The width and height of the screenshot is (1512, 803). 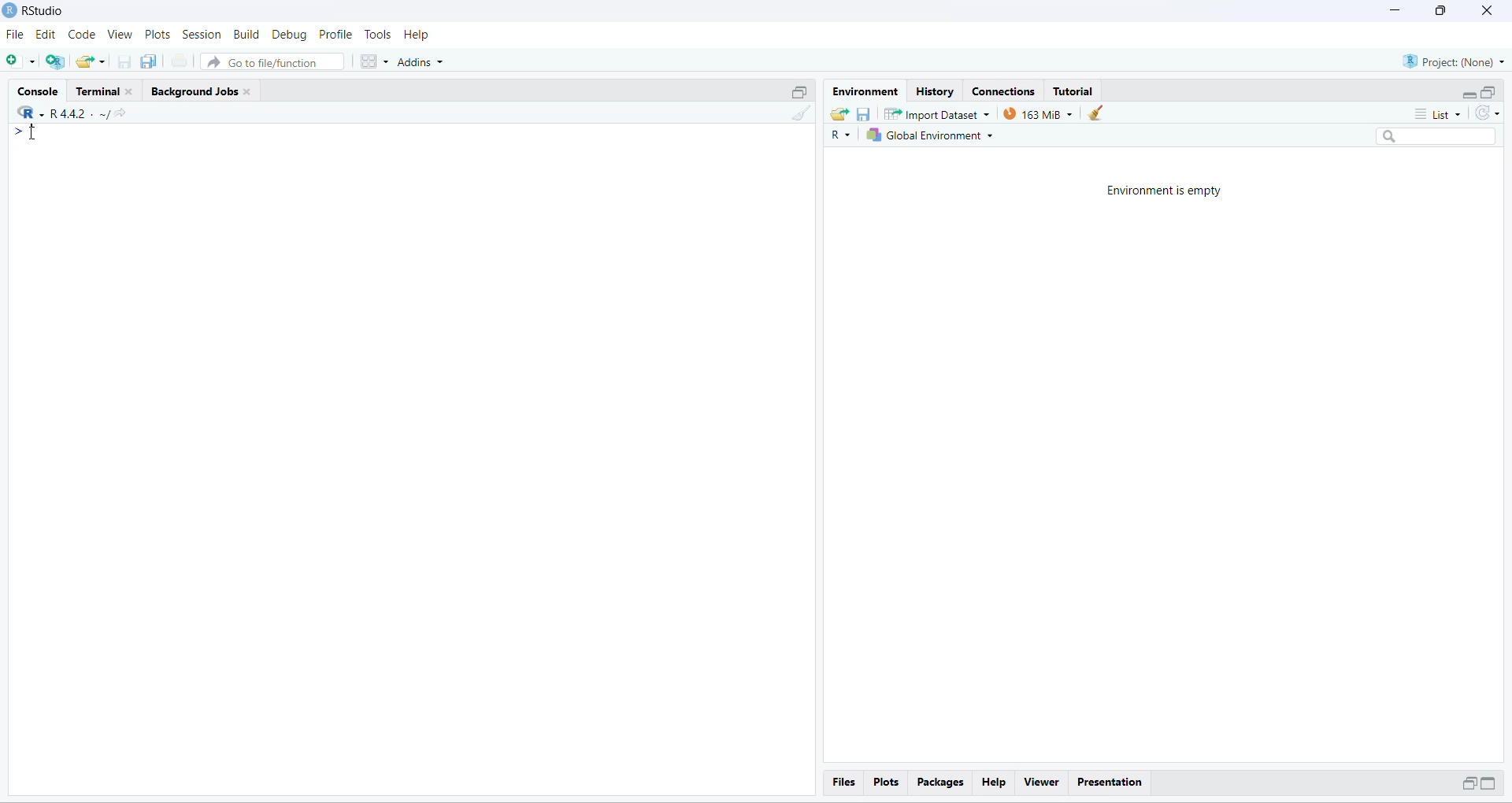 What do you see at coordinates (290, 35) in the screenshot?
I see `Debug` at bounding box center [290, 35].